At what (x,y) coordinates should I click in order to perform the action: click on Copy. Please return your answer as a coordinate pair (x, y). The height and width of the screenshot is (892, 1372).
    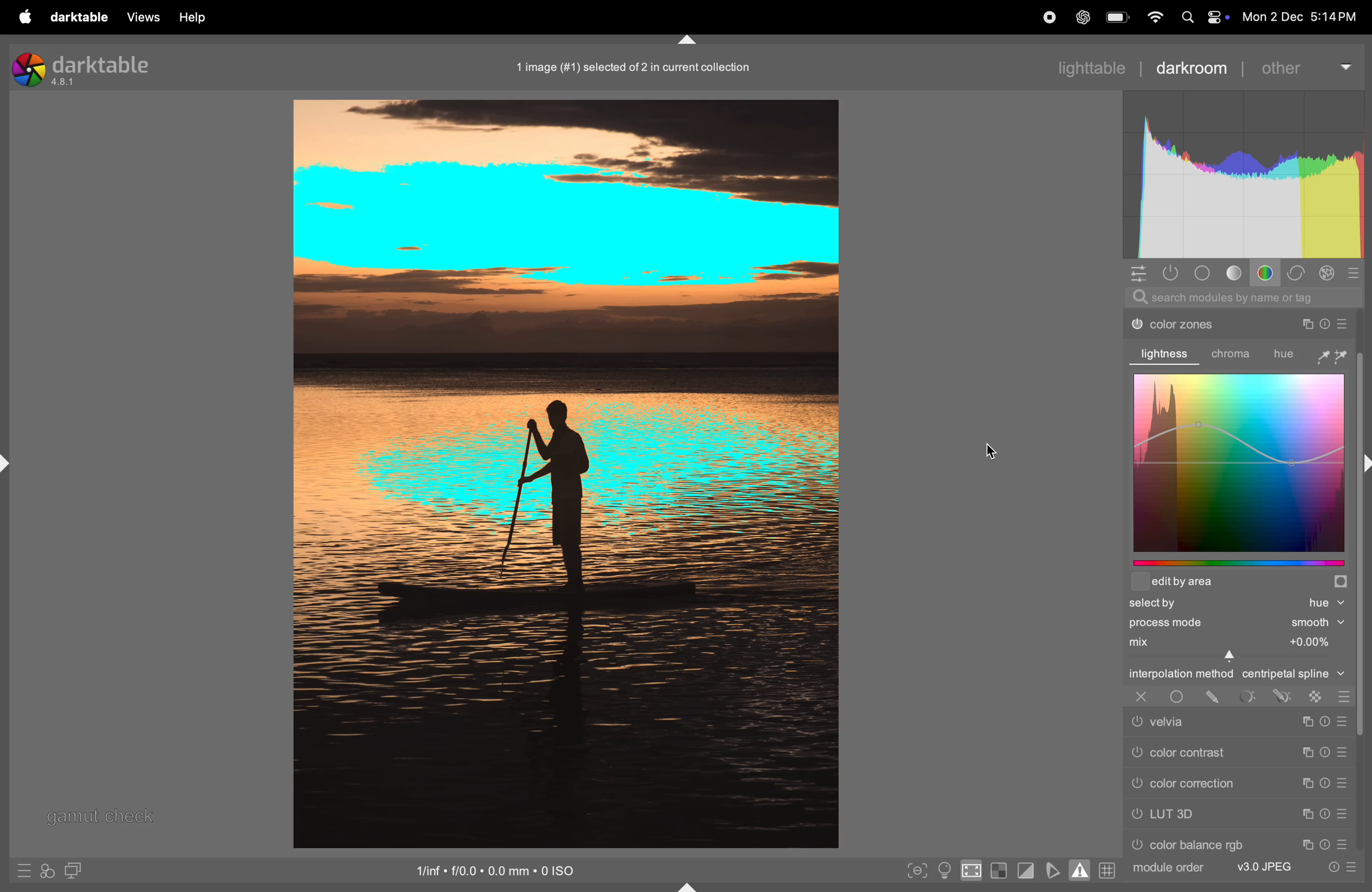
    Looking at the image, I should click on (1303, 324).